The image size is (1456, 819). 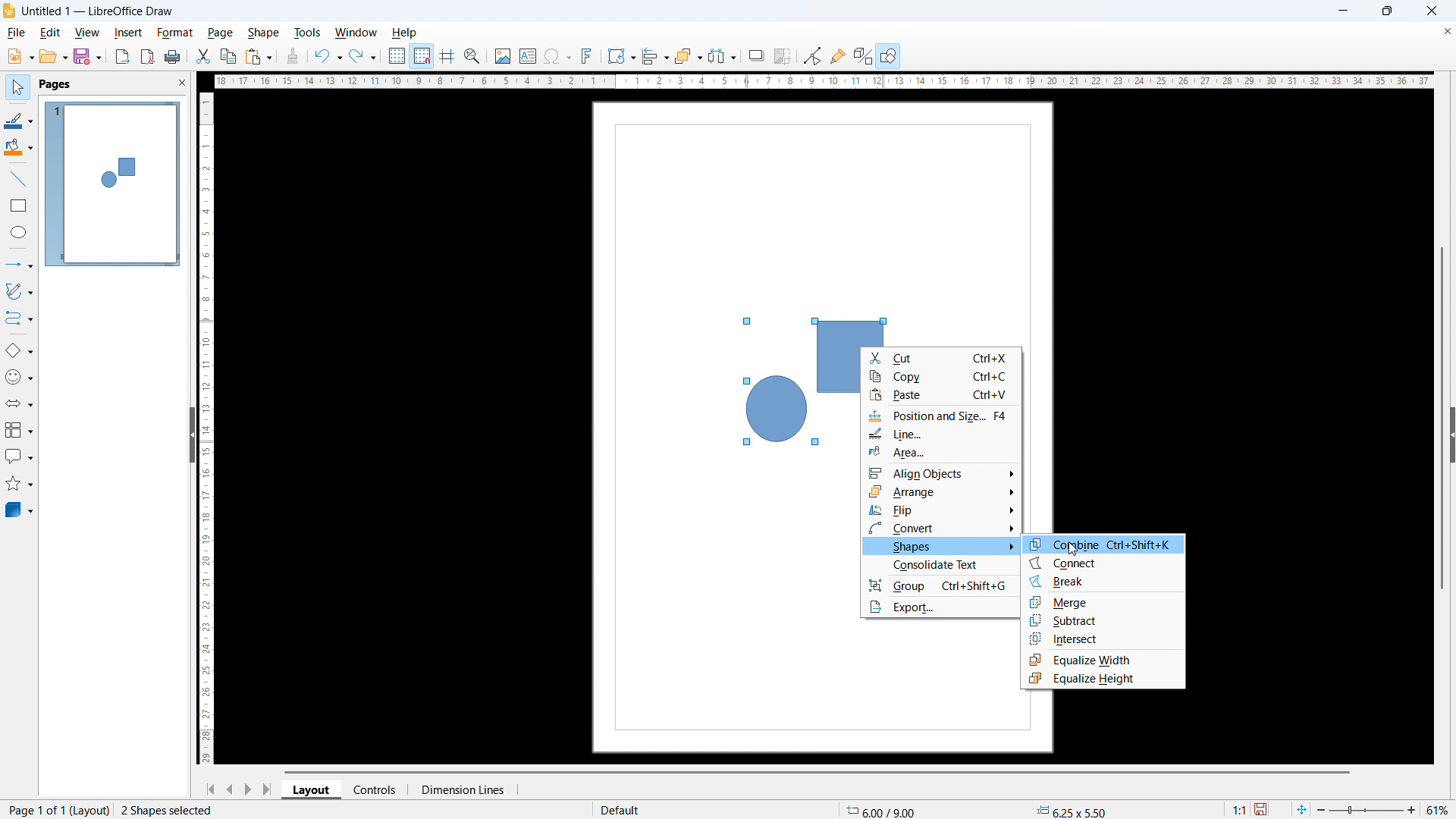 What do you see at coordinates (20, 510) in the screenshot?
I see `3D object` at bounding box center [20, 510].